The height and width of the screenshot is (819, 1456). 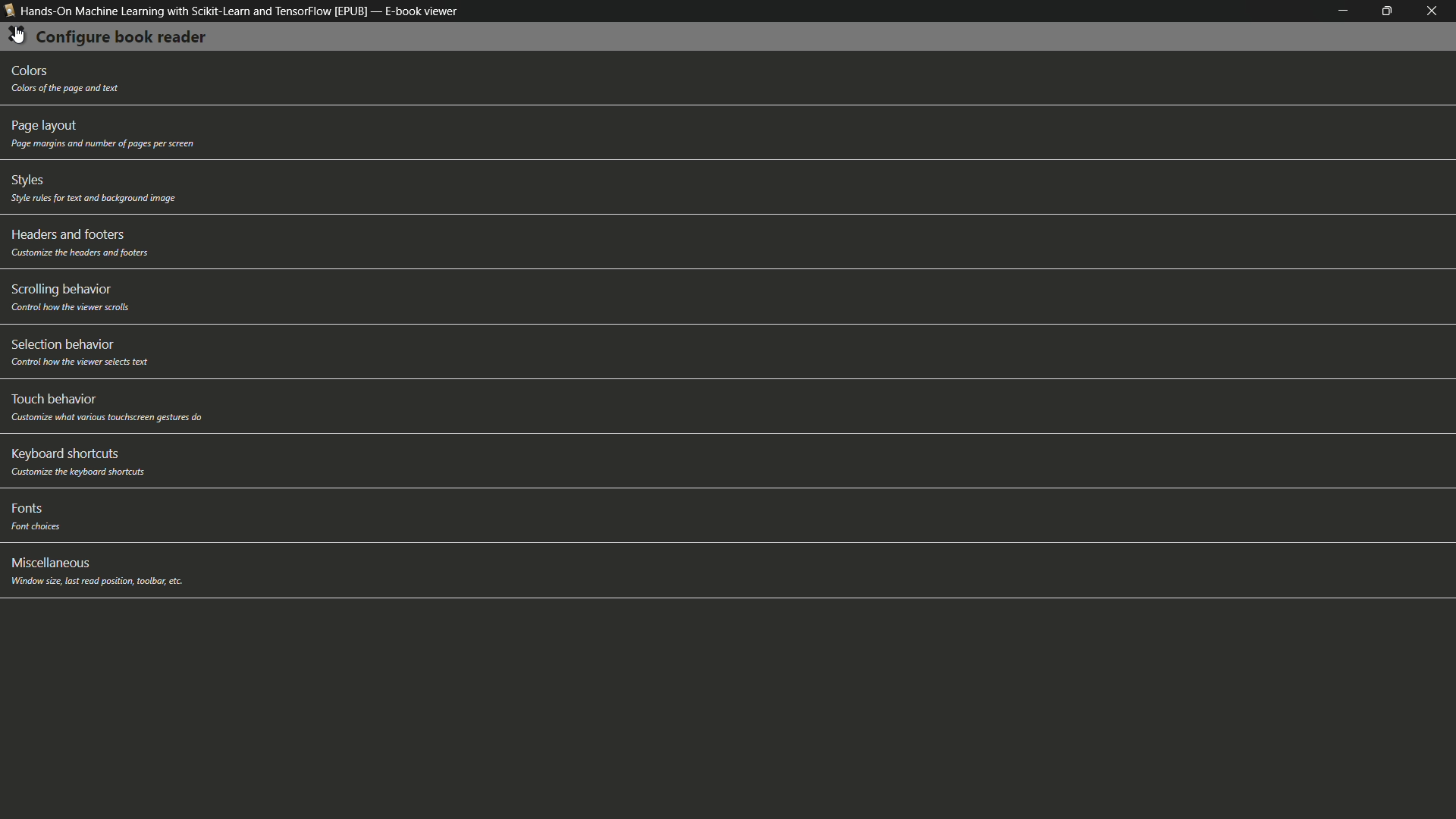 I want to click on configure book reader, so click(x=121, y=37).